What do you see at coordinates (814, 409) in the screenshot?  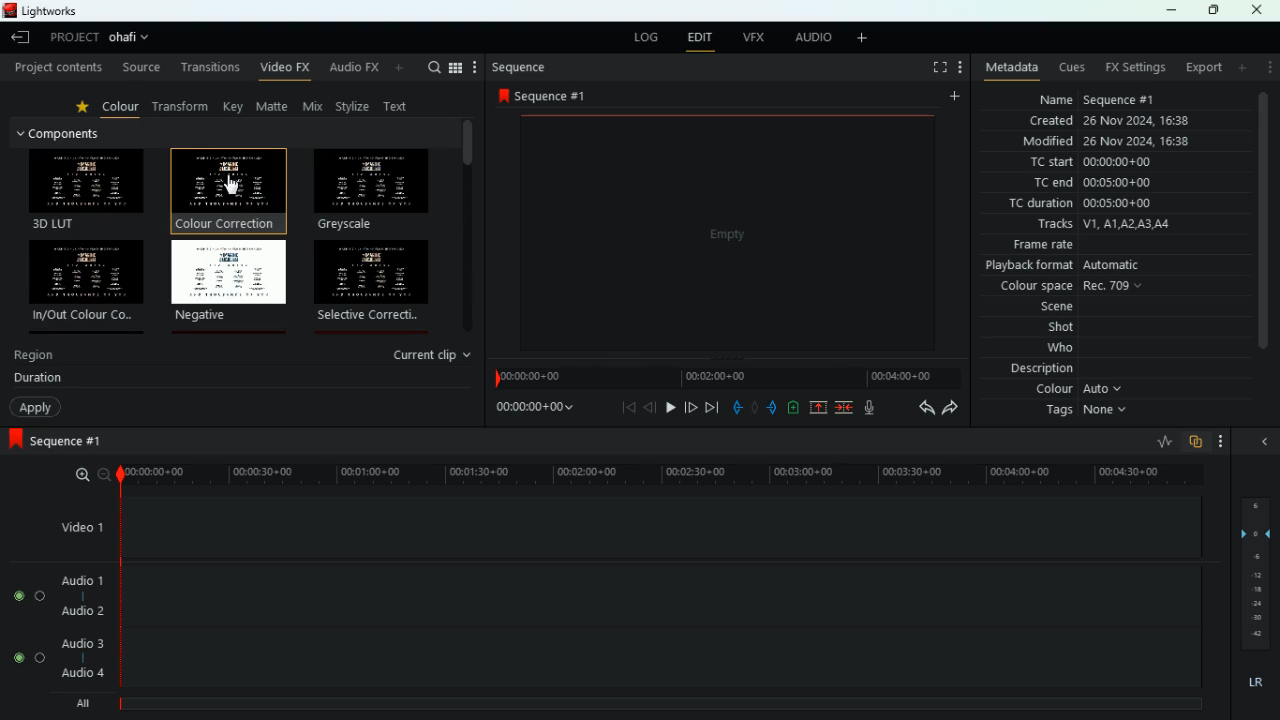 I see `up` at bounding box center [814, 409].